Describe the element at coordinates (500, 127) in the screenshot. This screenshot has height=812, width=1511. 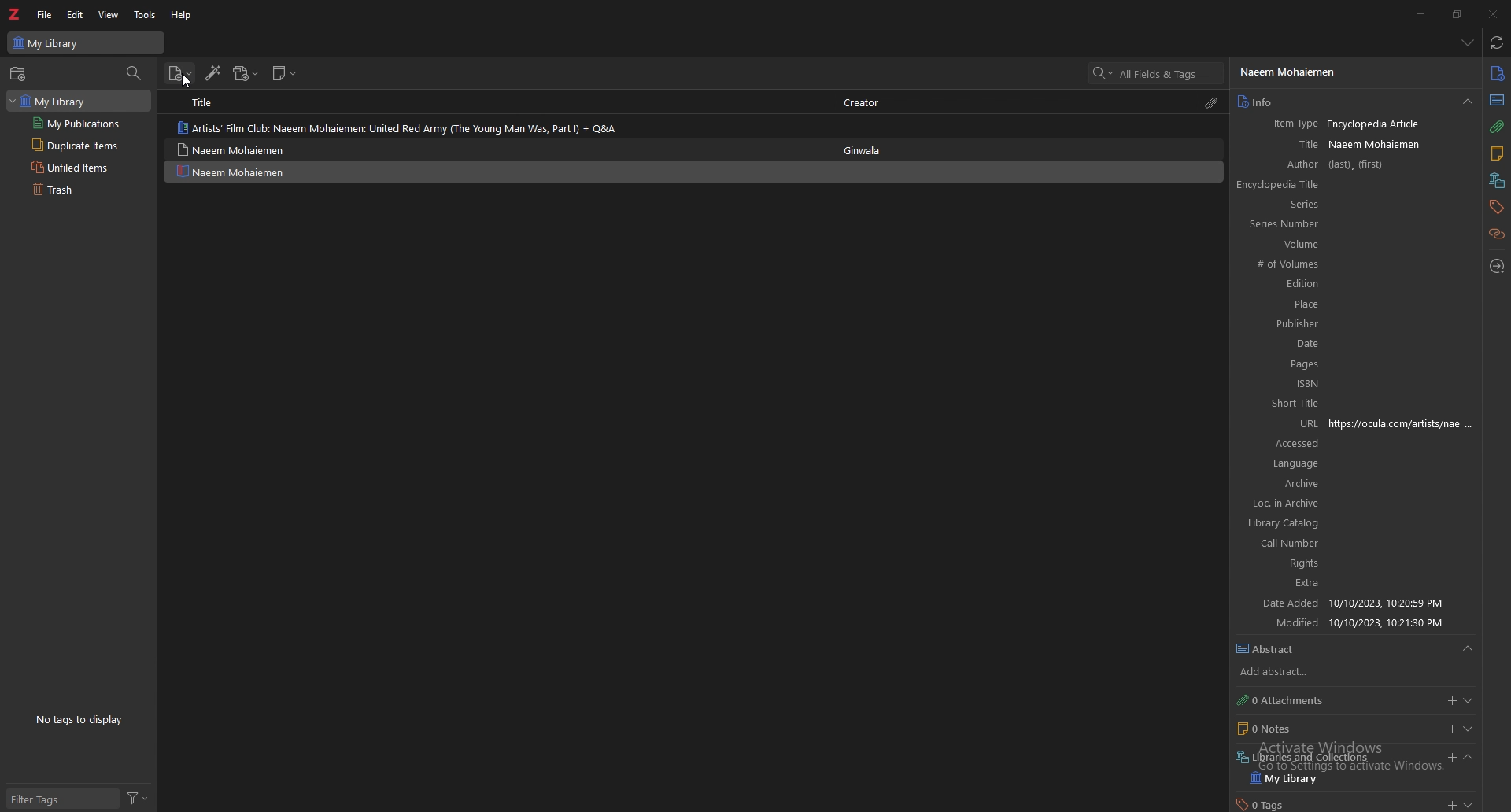
I see `item` at that location.